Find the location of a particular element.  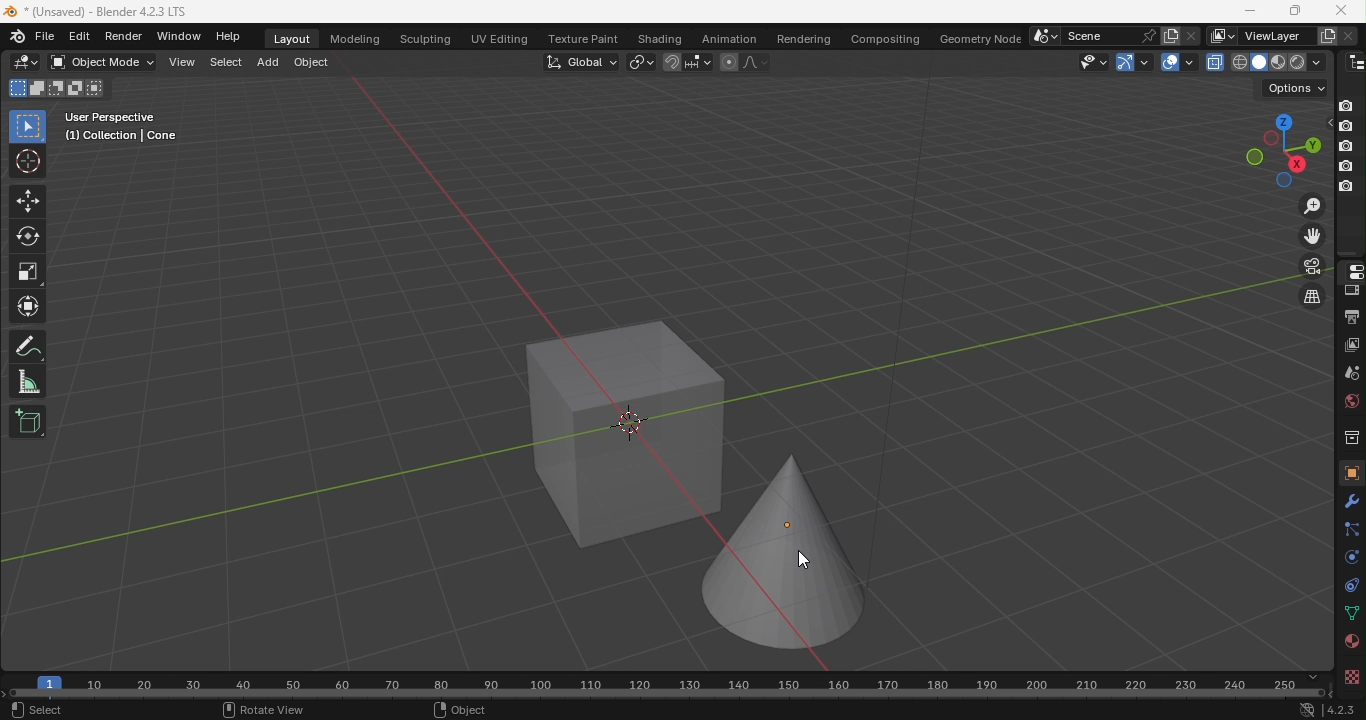

Select is located at coordinates (37, 711).